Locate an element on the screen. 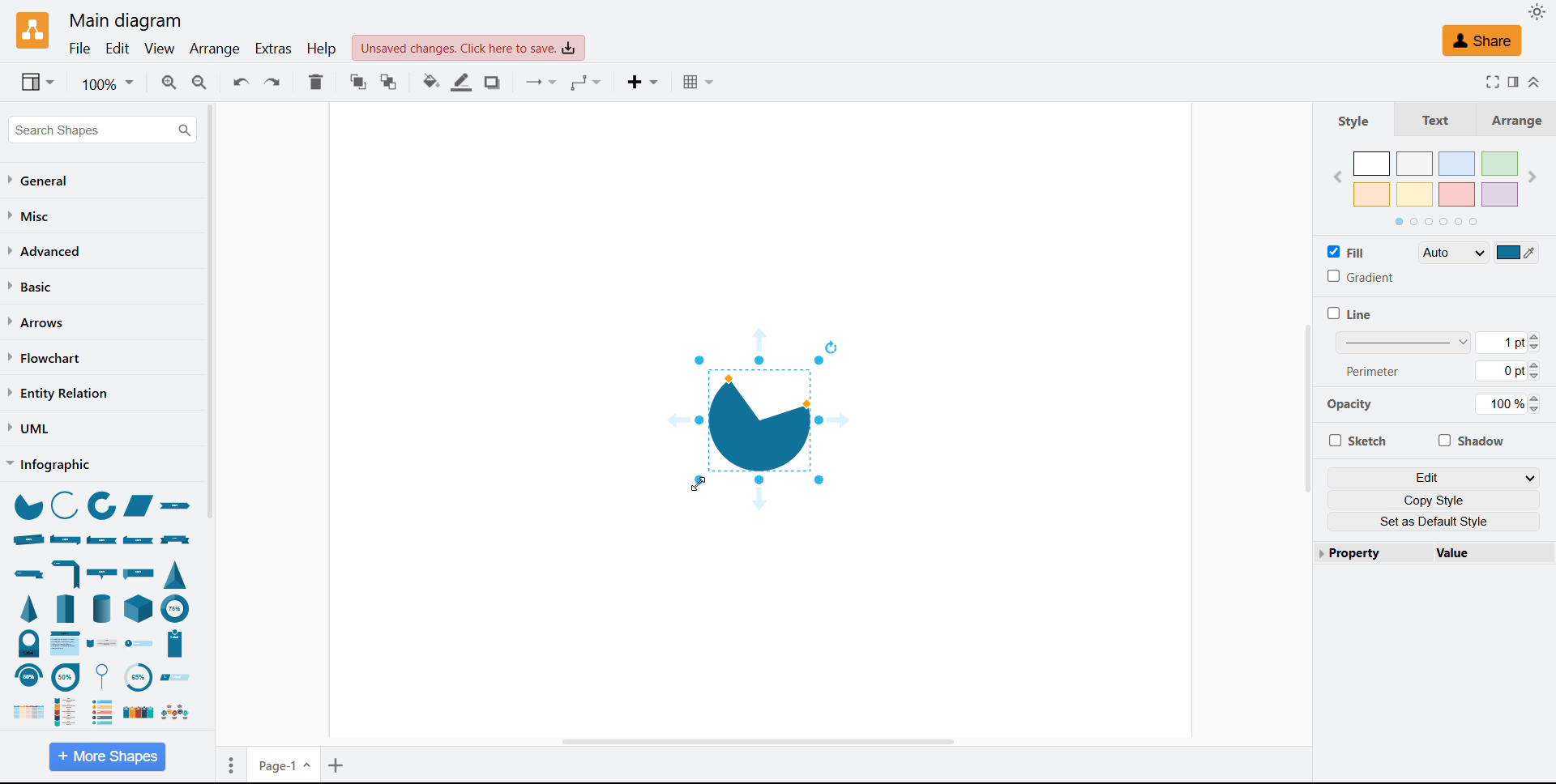 The height and width of the screenshot is (784, 1556). Extras  is located at coordinates (275, 49).